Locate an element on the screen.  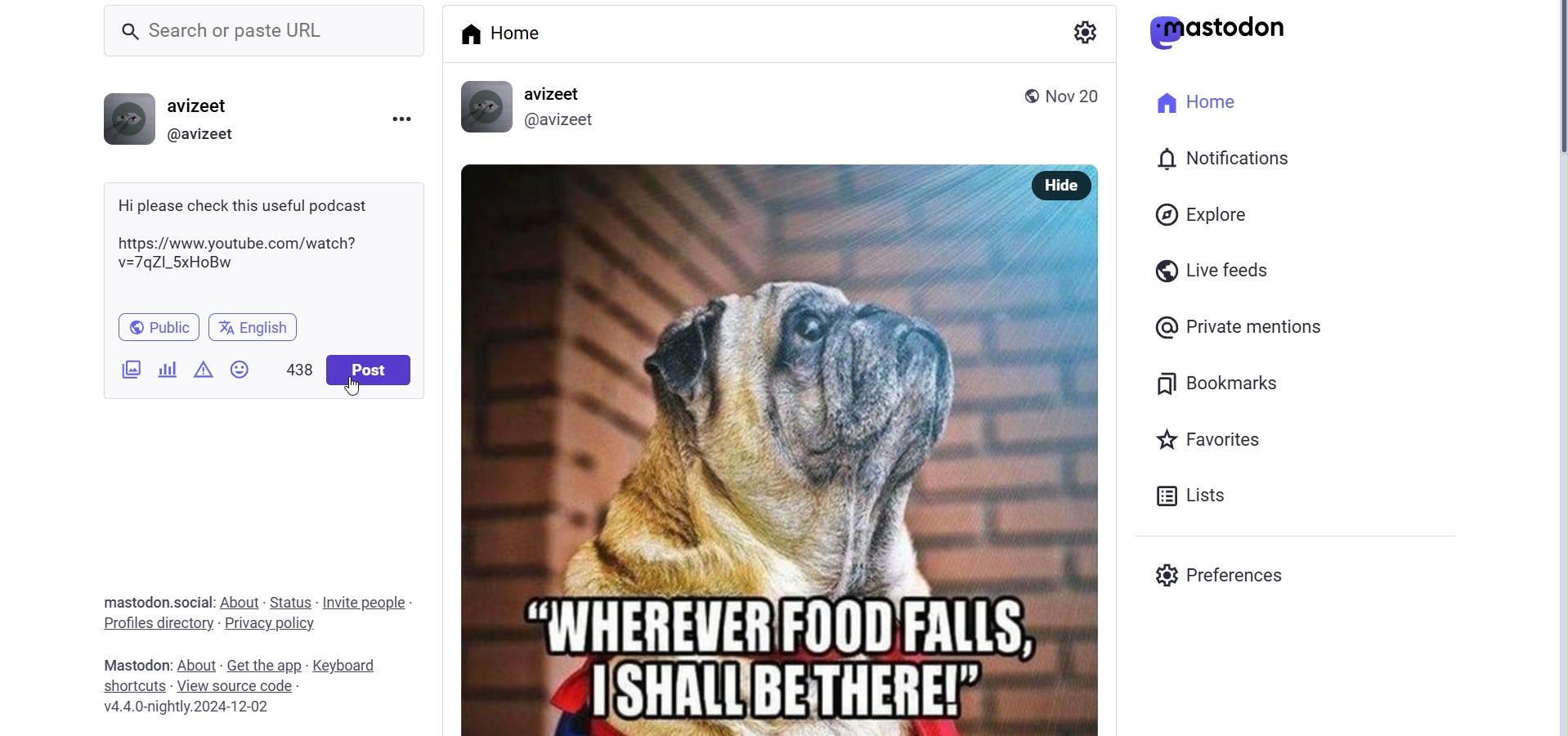
emojis is located at coordinates (242, 369).